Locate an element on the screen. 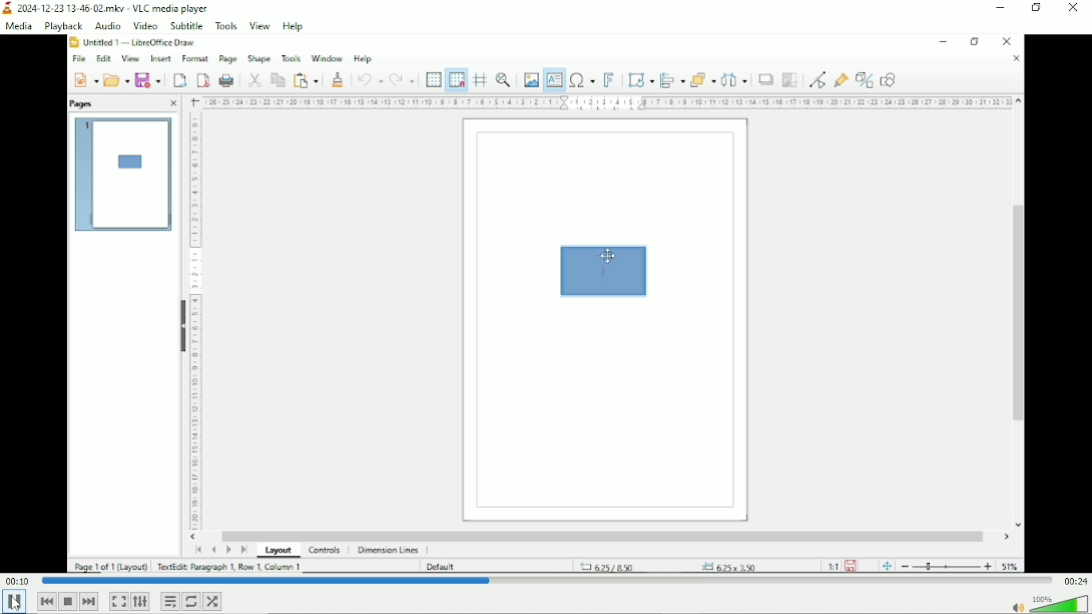  Toggle playlist is located at coordinates (169, 601).